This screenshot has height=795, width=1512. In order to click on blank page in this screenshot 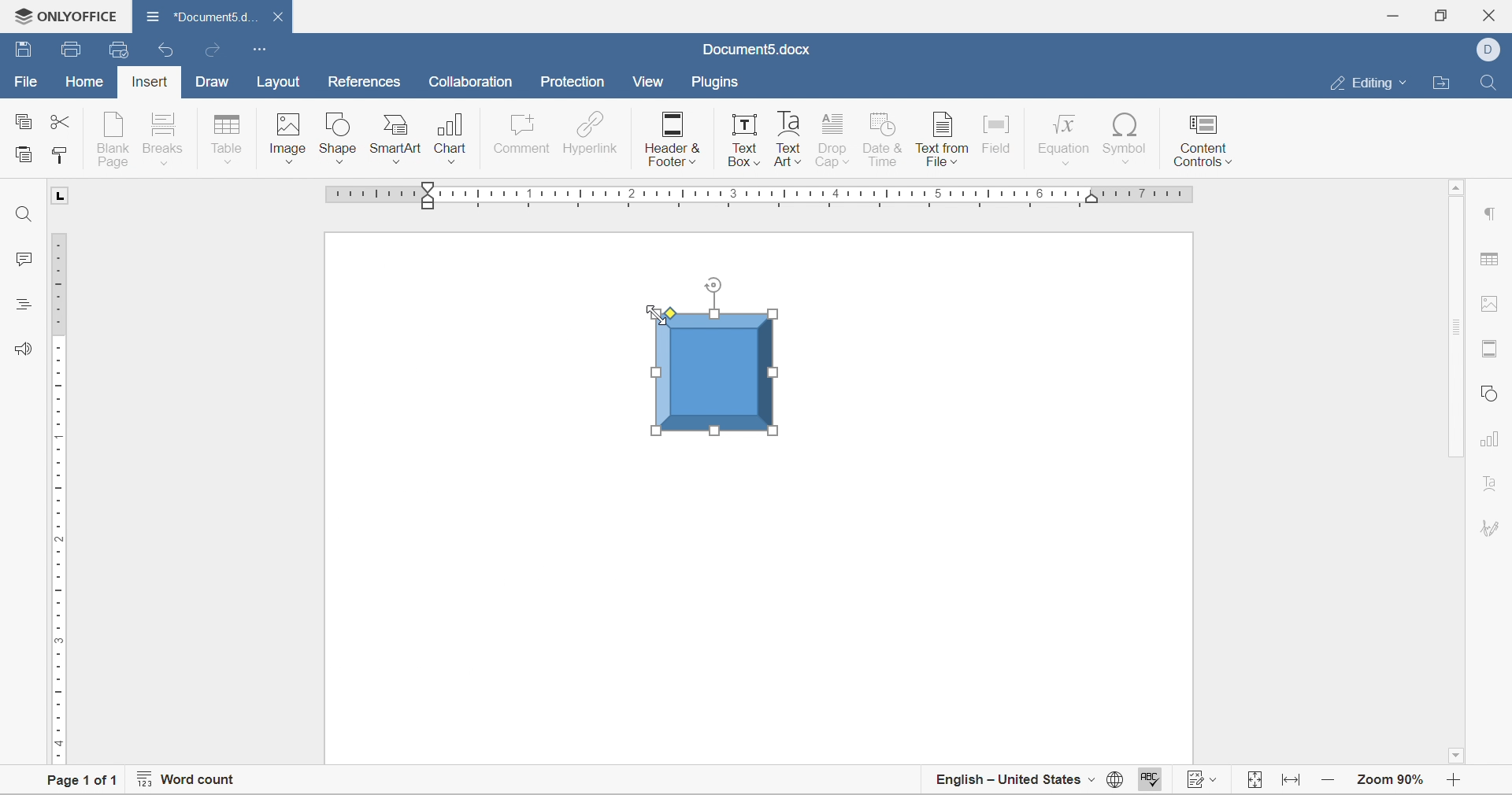, I will do `click(114, 139)`.